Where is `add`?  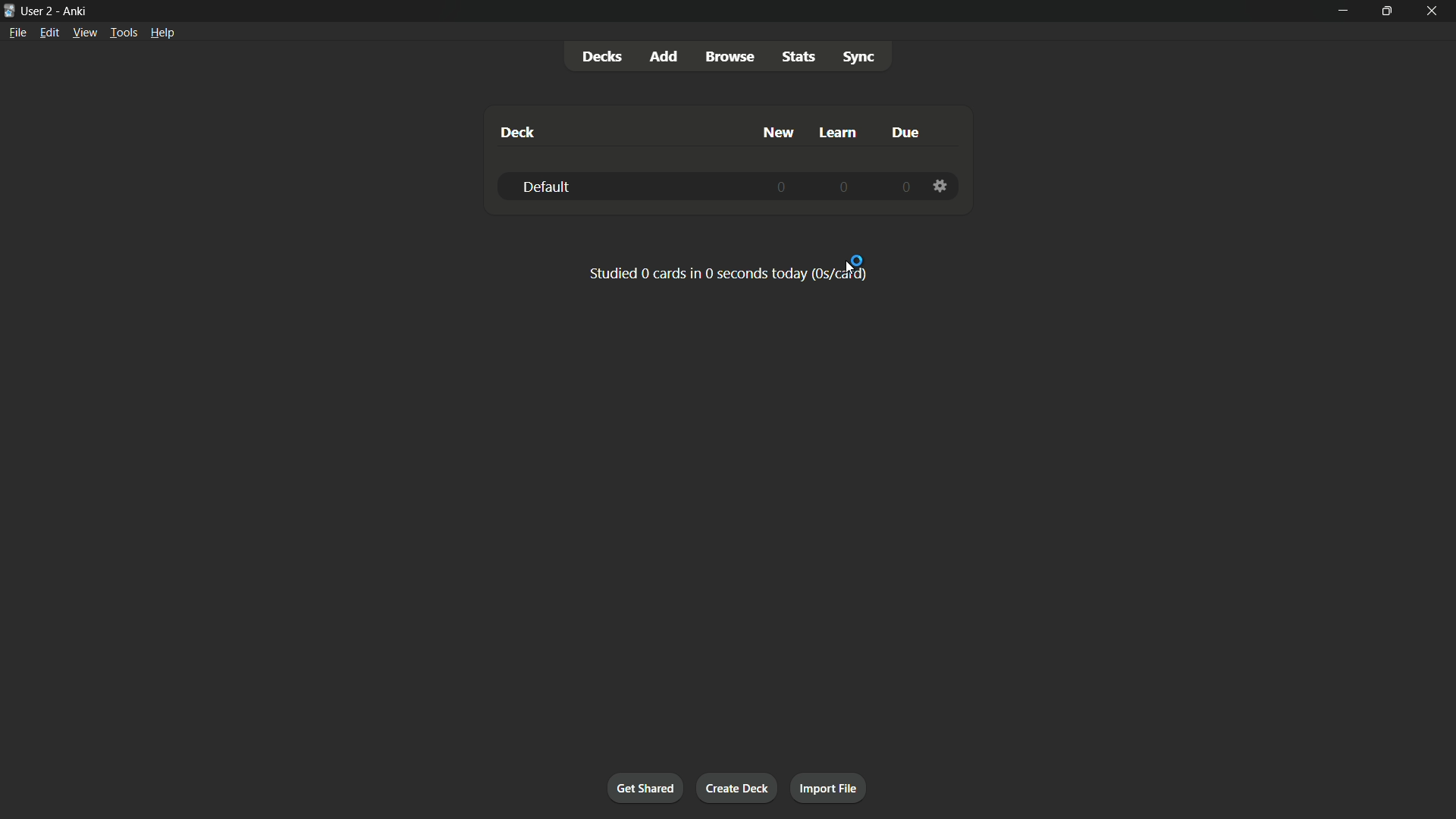
add is located at coordinates (663, 57).